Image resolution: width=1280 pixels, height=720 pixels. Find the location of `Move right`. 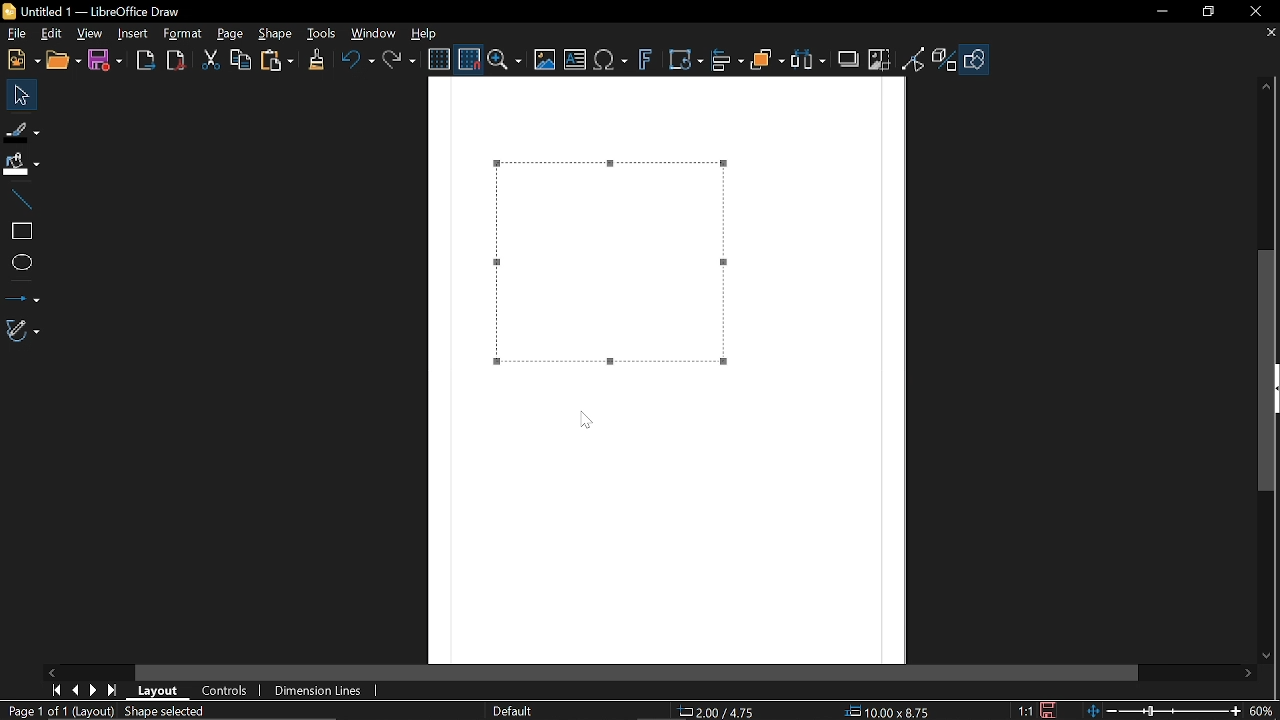

Move right is located at coordinates (1251, 674).